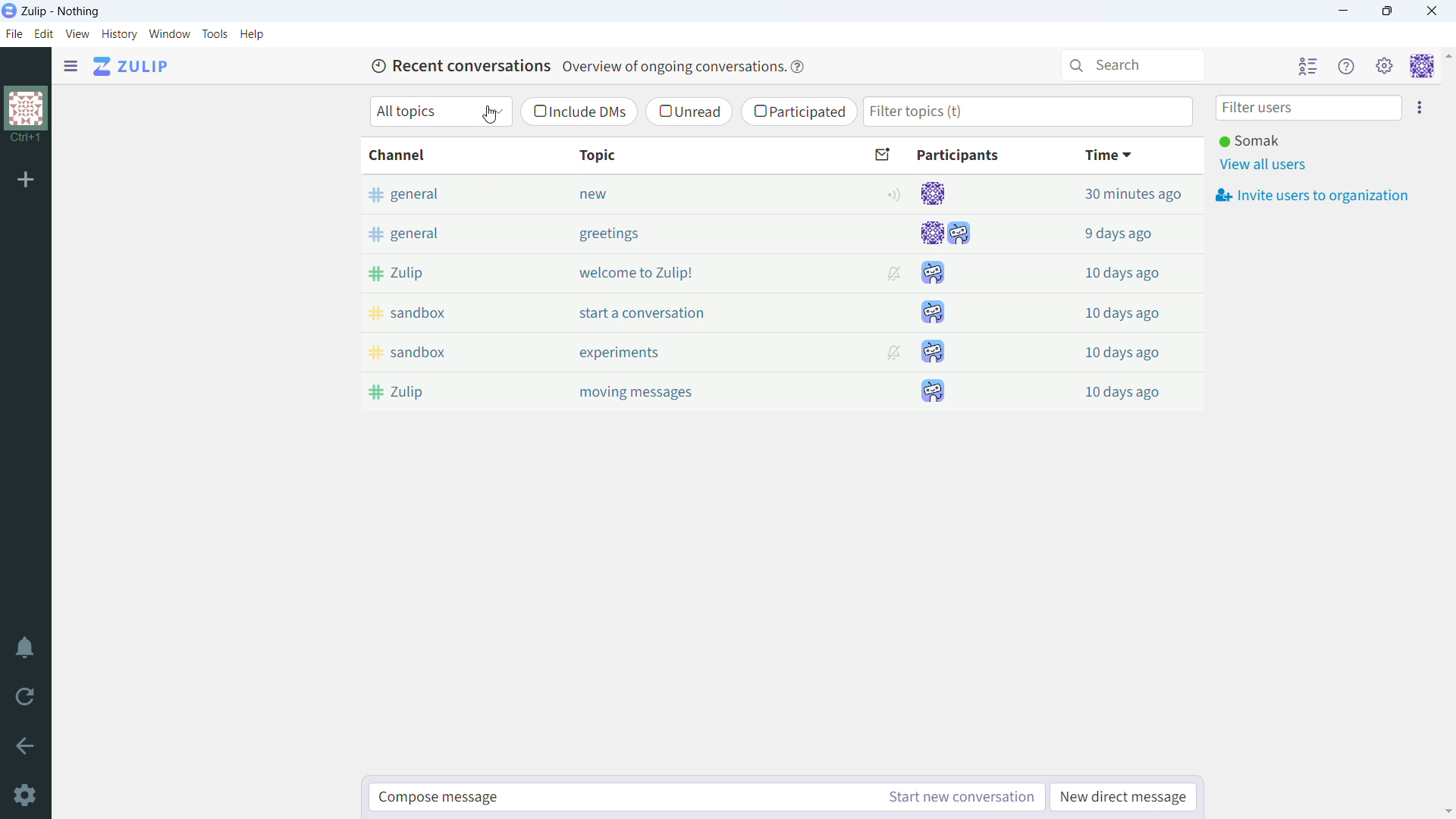 This screenshot has width=1456, height=819. What do you see at coordinates (133, 66) in the screenshot?
I see `go to home view` at bounding box center [133, 66].